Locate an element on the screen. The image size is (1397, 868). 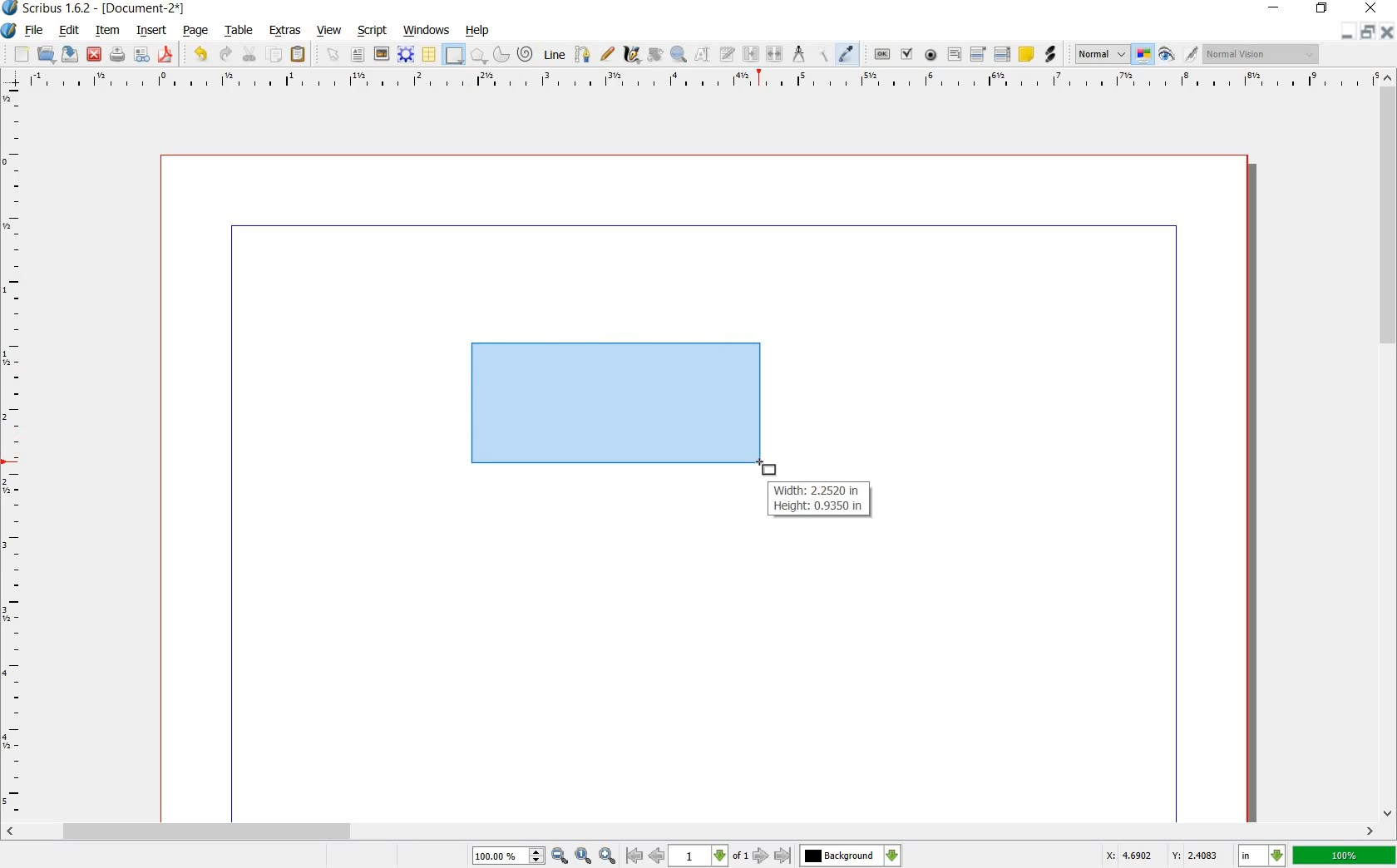
normal vision is located at coordinates (1260, 54).